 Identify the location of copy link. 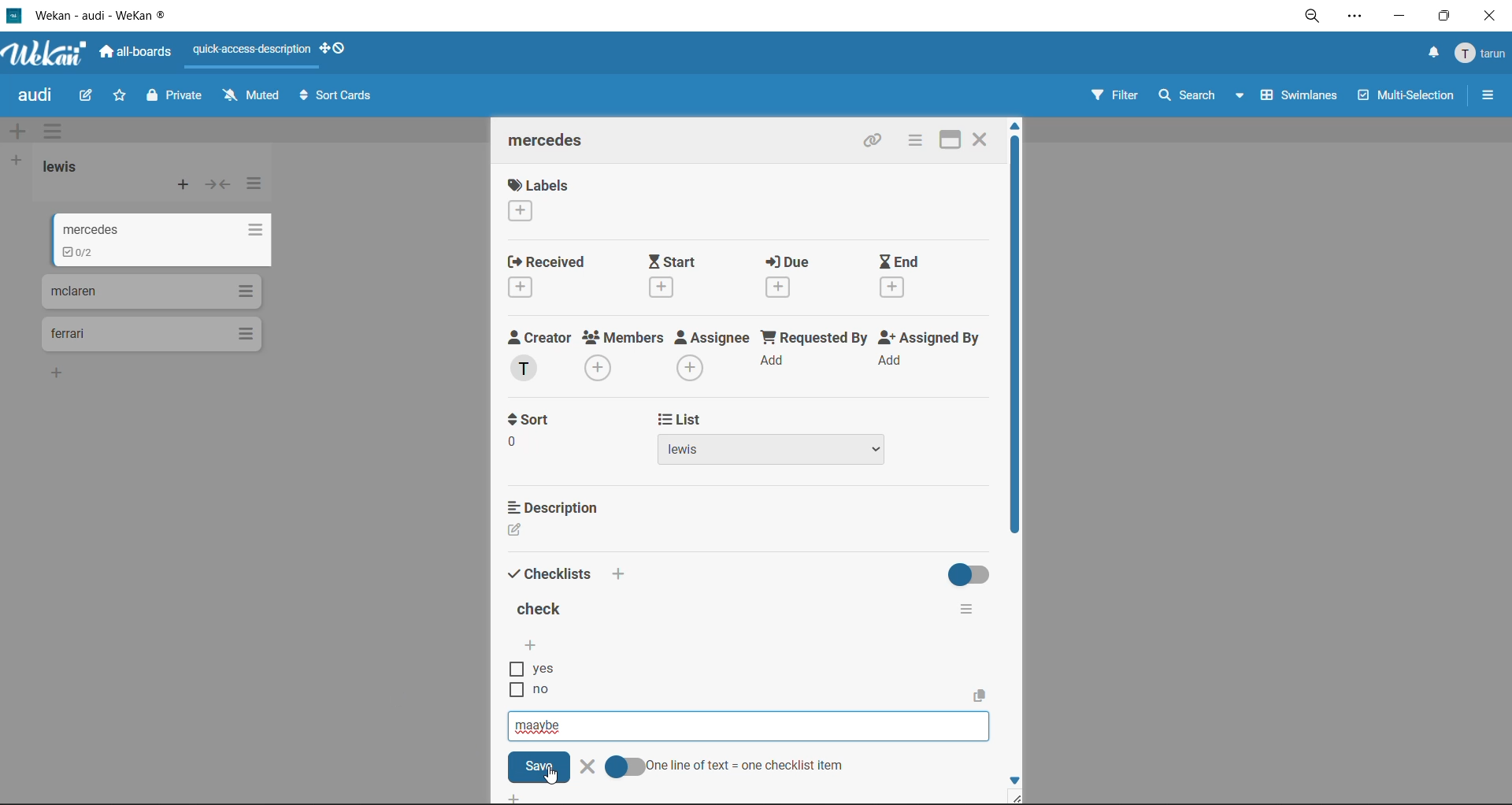
(869, 143).